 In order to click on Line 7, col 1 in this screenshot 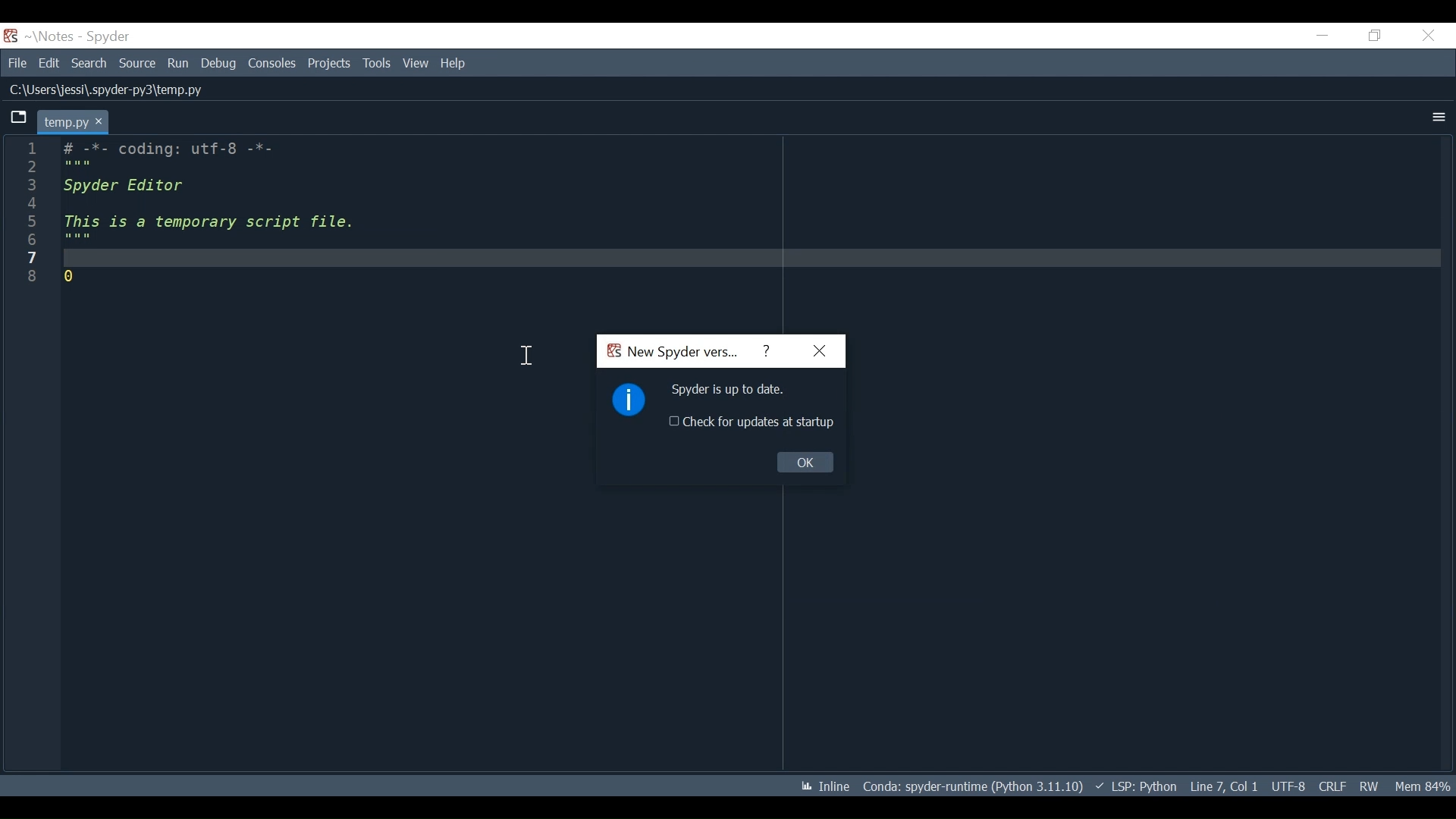, I will do `click(1225, 786)`.